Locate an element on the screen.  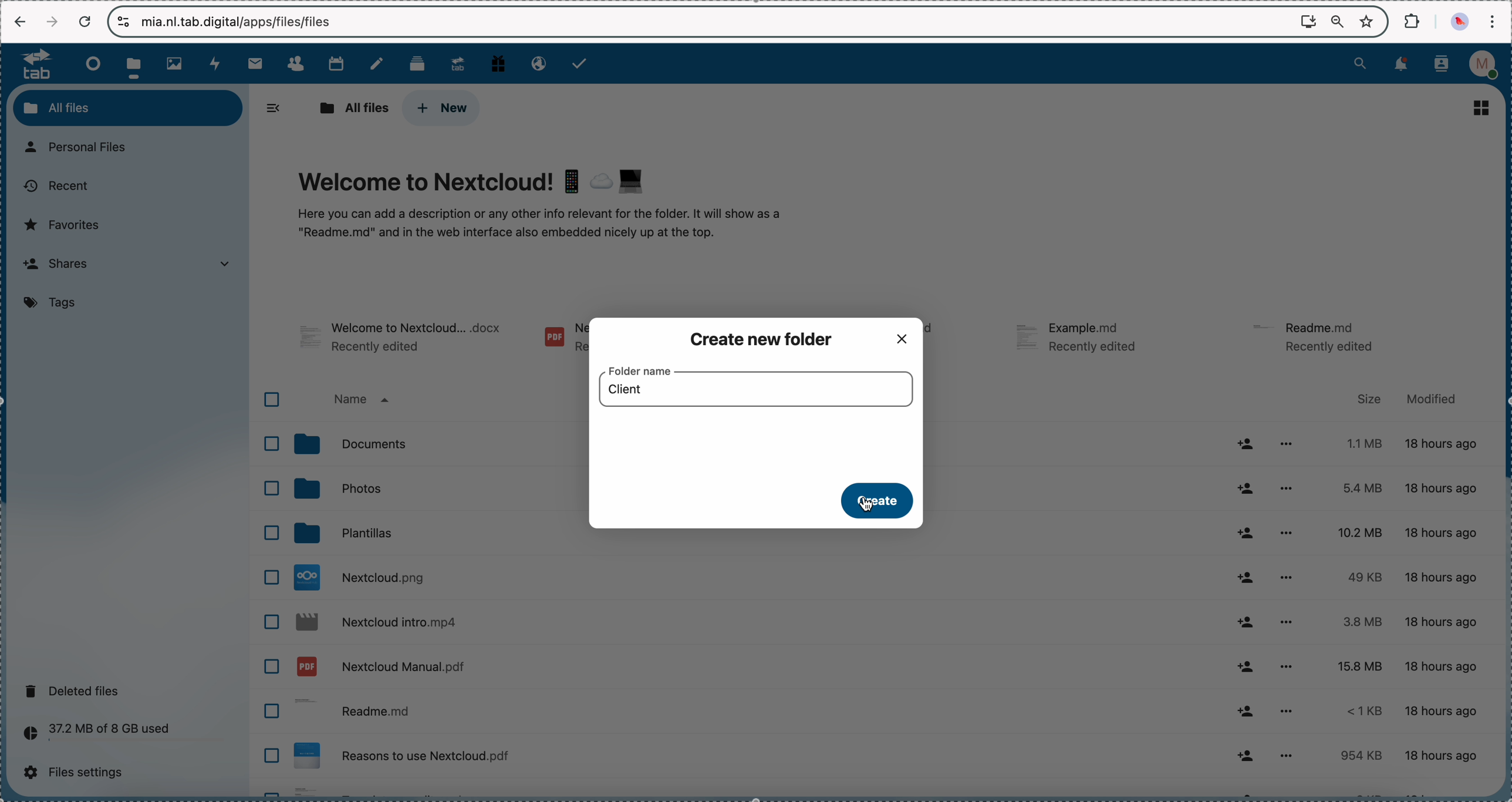
free is located at coordinates (498, 62).